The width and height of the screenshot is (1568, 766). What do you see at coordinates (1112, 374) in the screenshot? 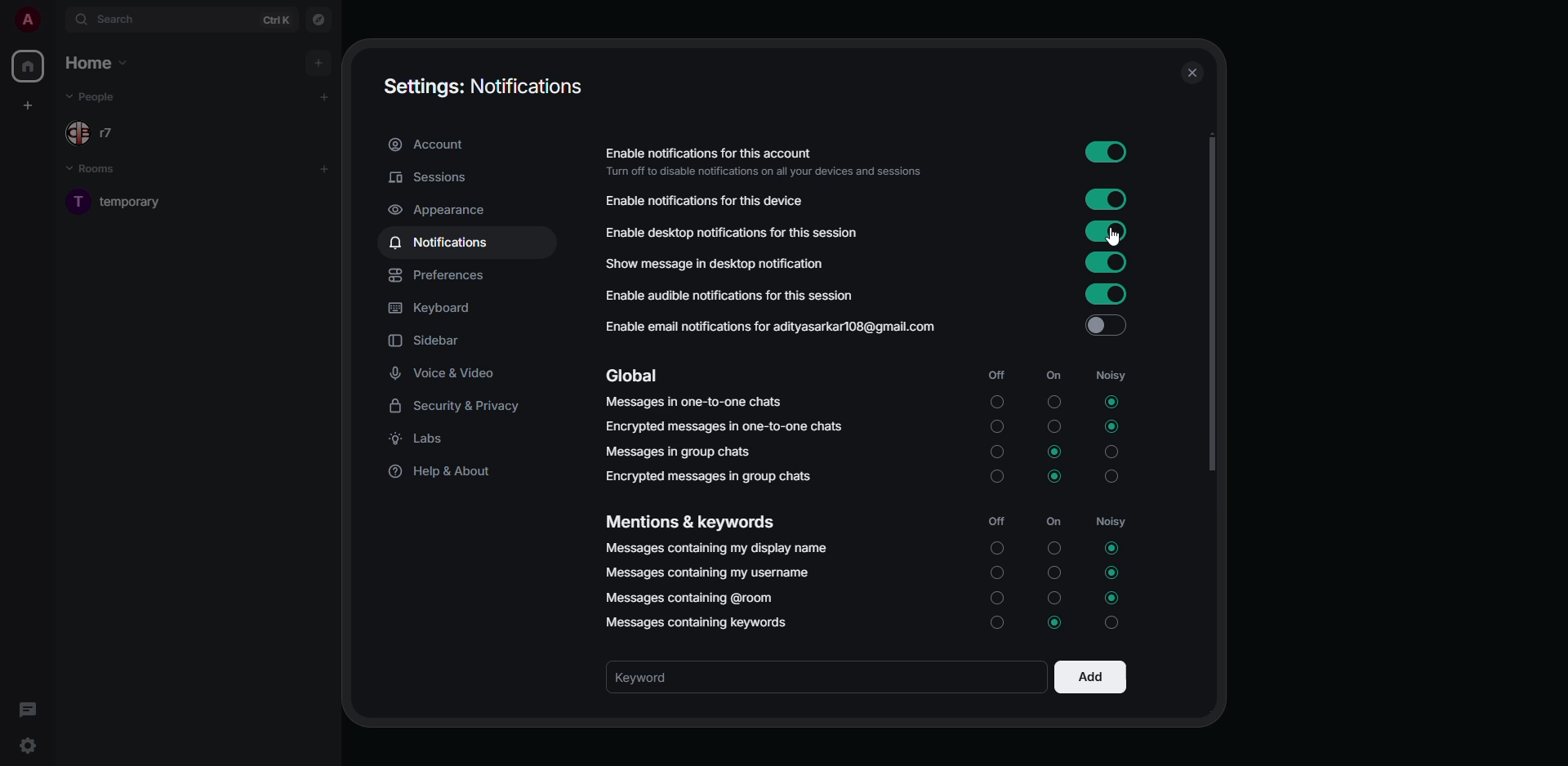
I see `noisy` at bounding box center [1112, 374].